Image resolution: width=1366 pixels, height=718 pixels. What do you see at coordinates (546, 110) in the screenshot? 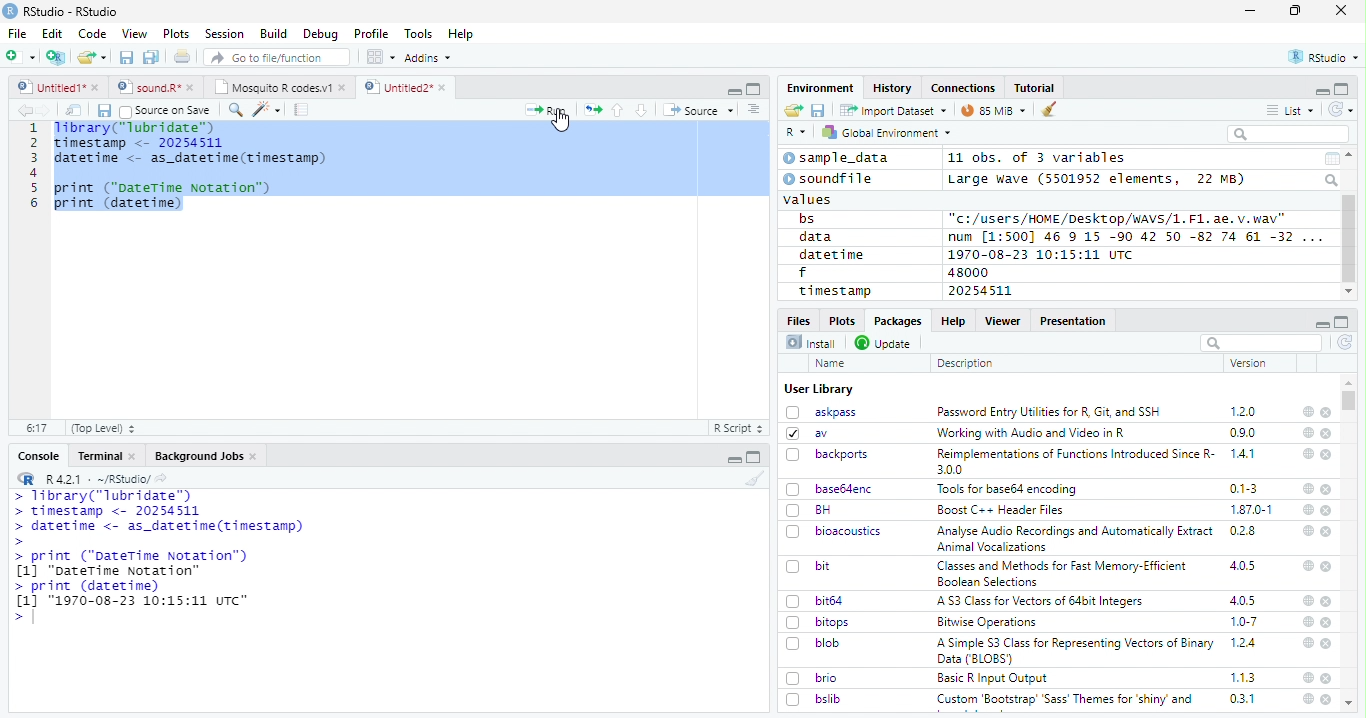
I see `Run the current line` at bounding box center [546, 110].